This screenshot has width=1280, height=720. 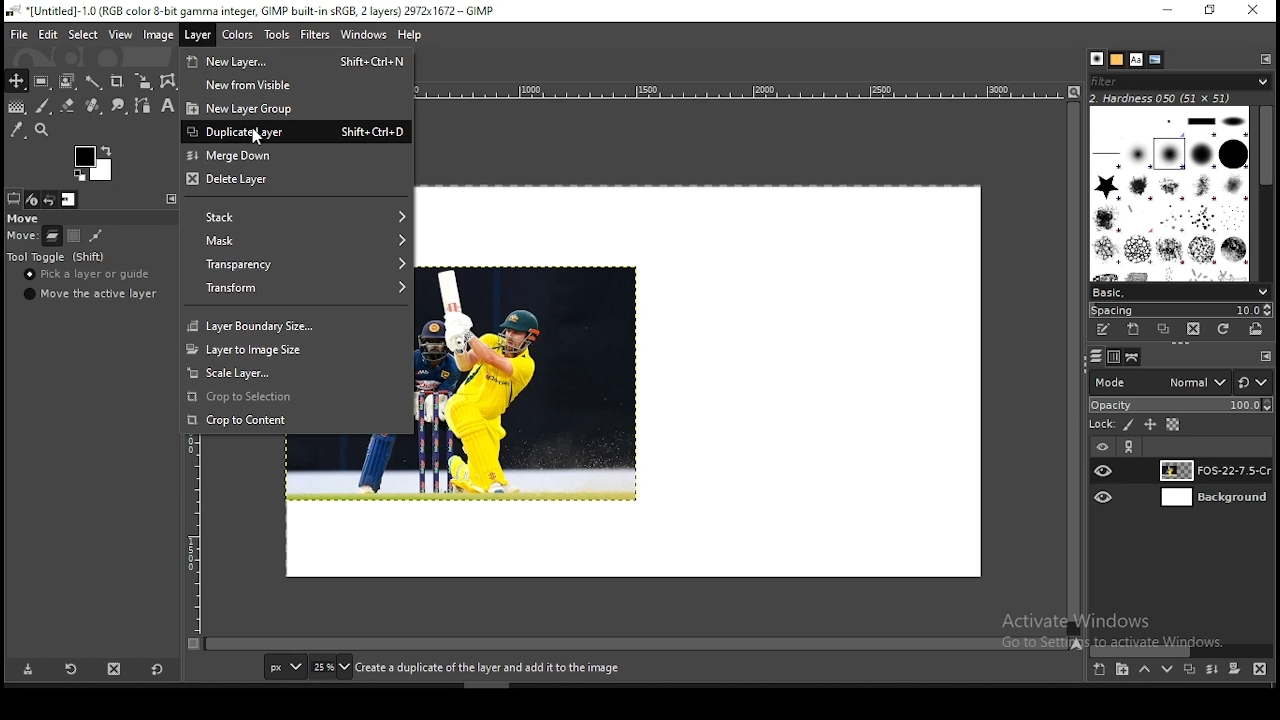 What do you see at coordinates (168, 81) in the screenshot?
I see `wrap transform` at bounding box center [168, 81].